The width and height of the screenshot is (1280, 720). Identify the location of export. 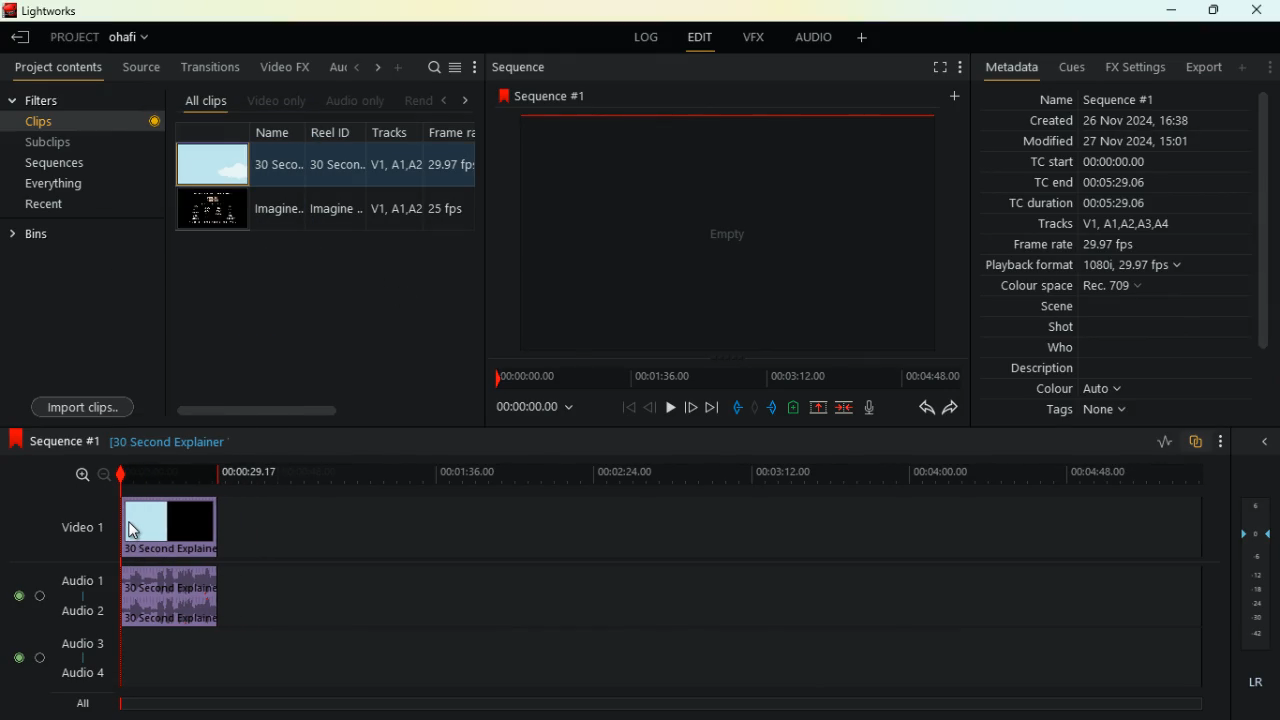
(1201, 70).